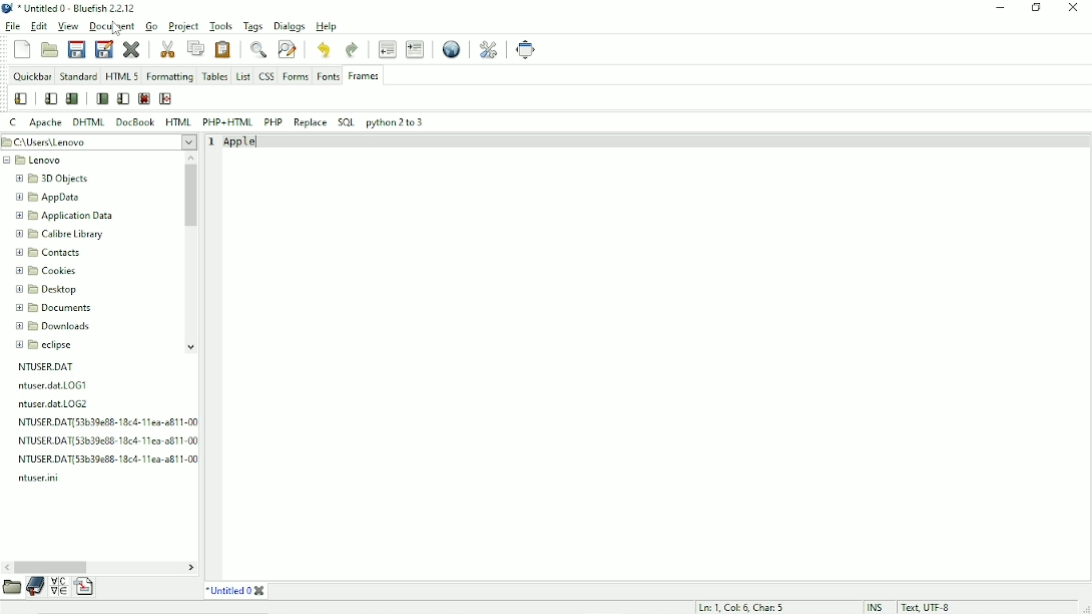  What do you see at coordinates (295, 77) in the screenshot?
I see `Forms` at bounding box center [295, 77].